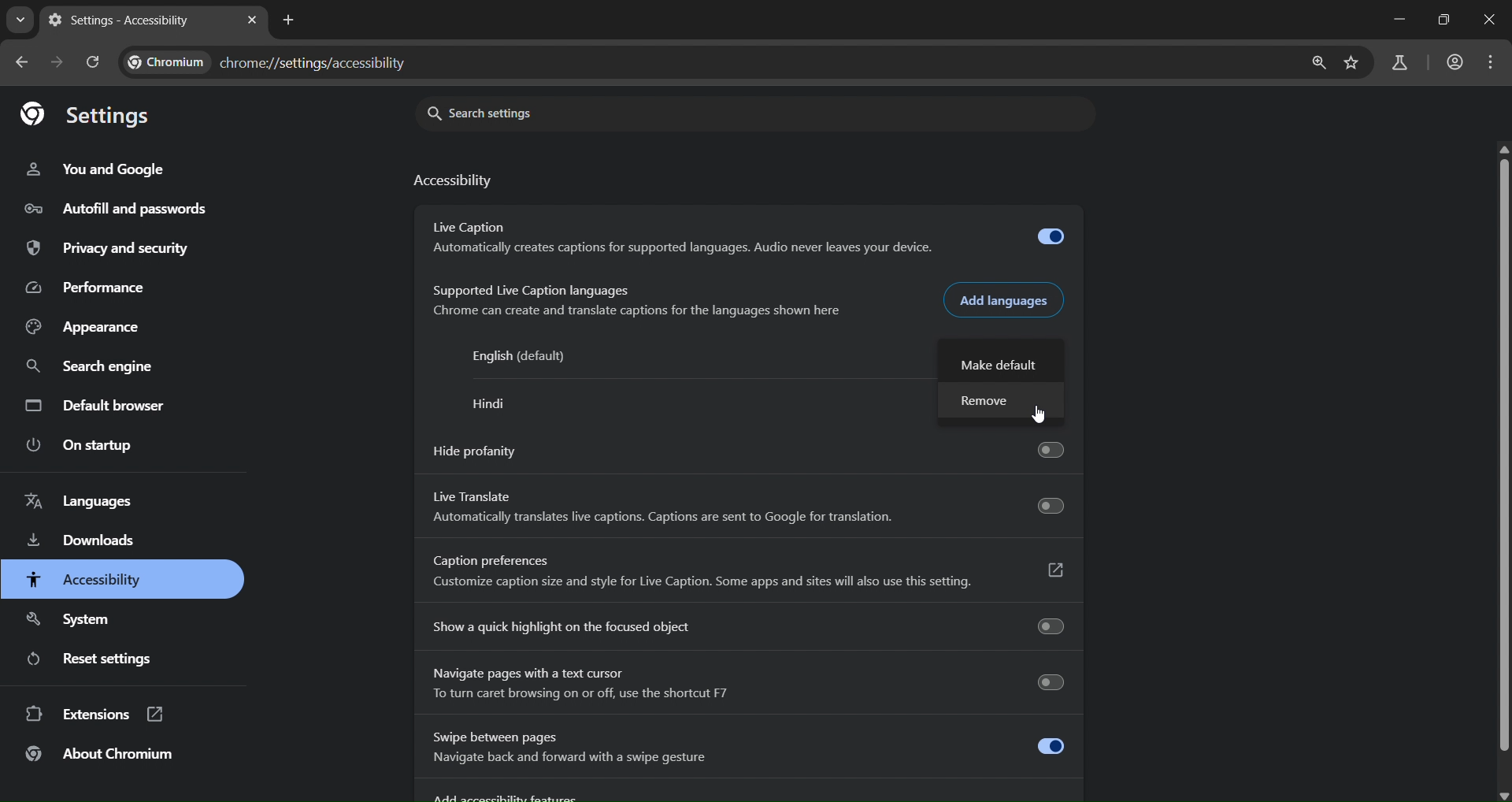 The image size is (1512, 802). I want to click on settings, so click(86, 117).